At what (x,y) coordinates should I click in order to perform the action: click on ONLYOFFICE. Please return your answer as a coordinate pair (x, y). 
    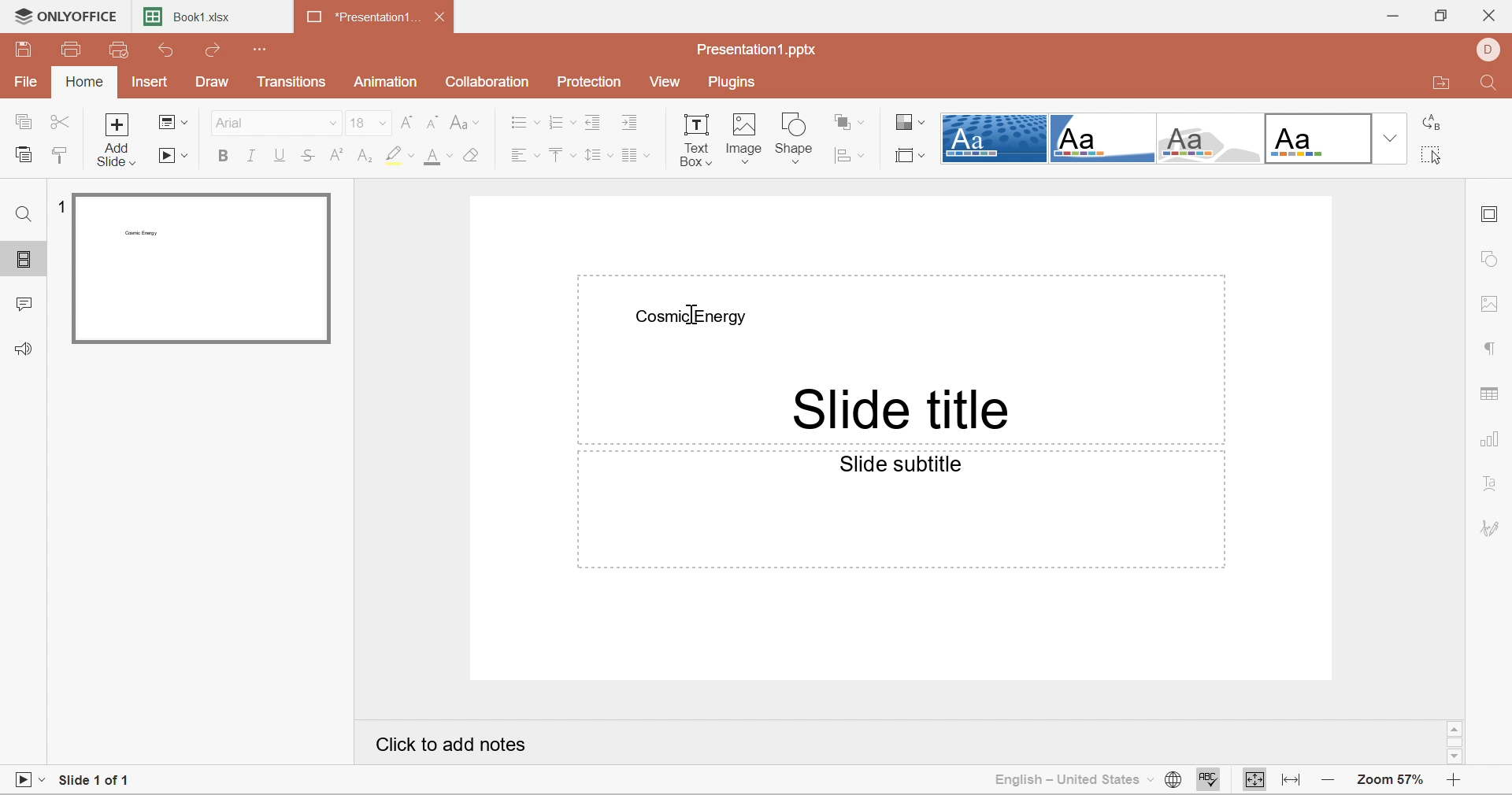
    Looking at the image, I should click on (67, 15).